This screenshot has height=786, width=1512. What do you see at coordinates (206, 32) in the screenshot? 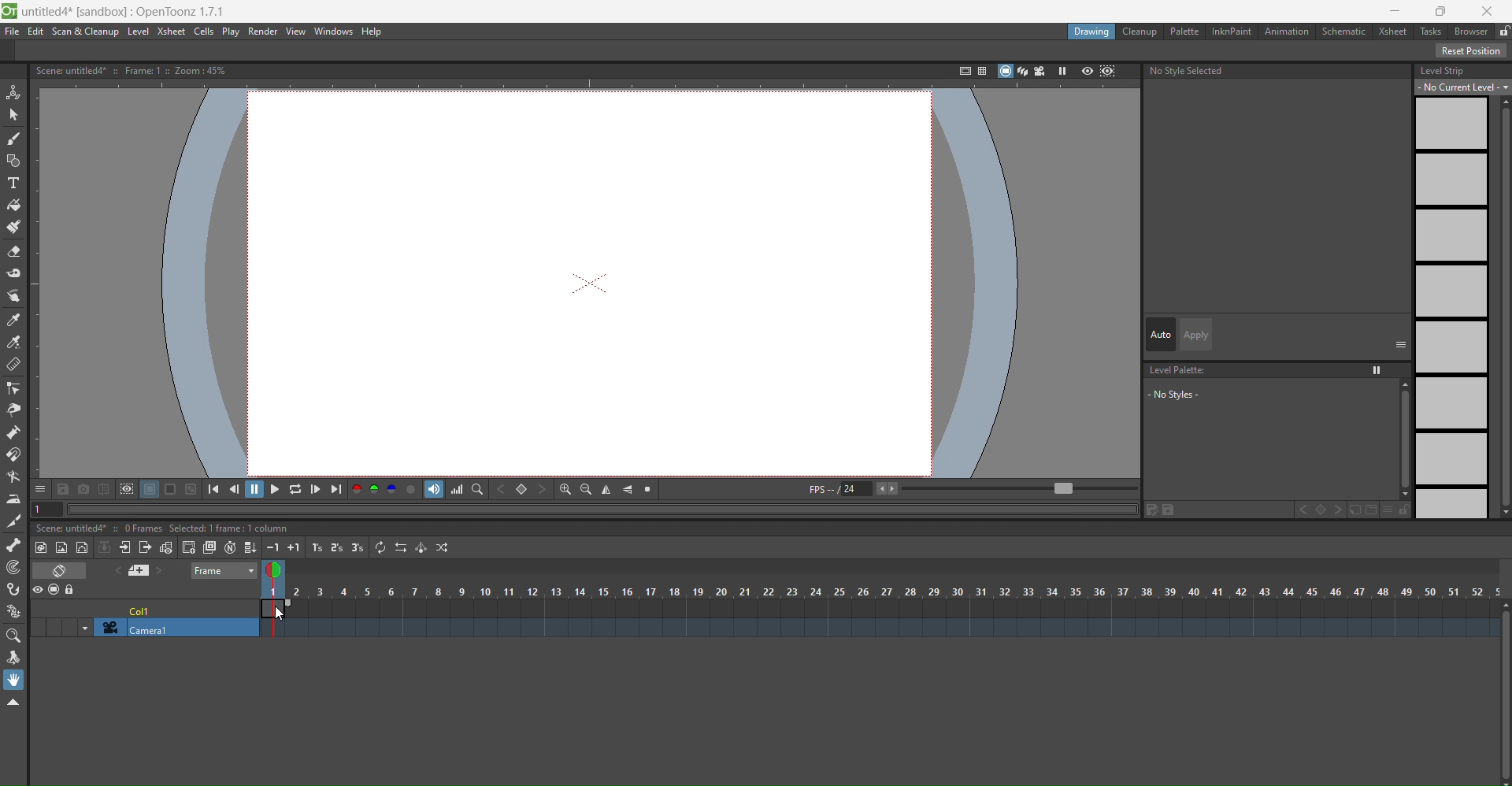
I see `cells` at bounding box center [206, 32].